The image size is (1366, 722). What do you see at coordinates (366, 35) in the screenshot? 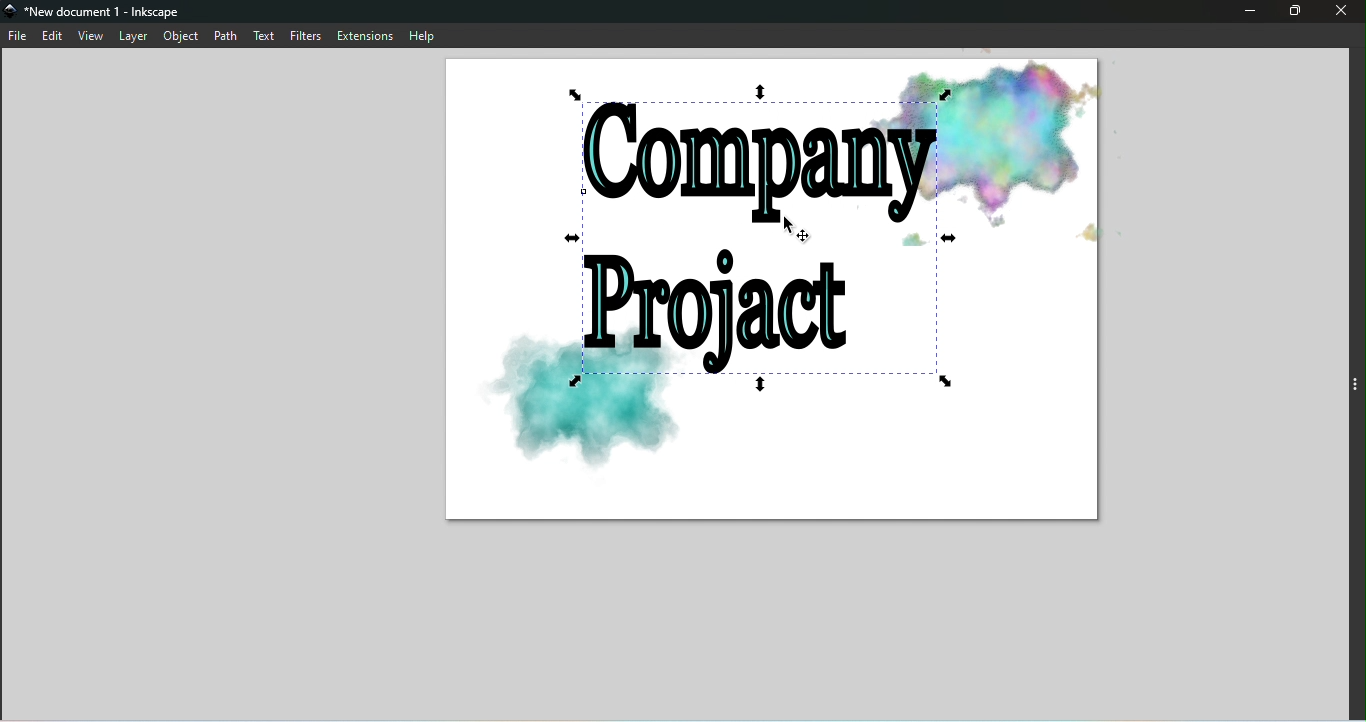
I see `Extensions` at bounding box center [366, 35].